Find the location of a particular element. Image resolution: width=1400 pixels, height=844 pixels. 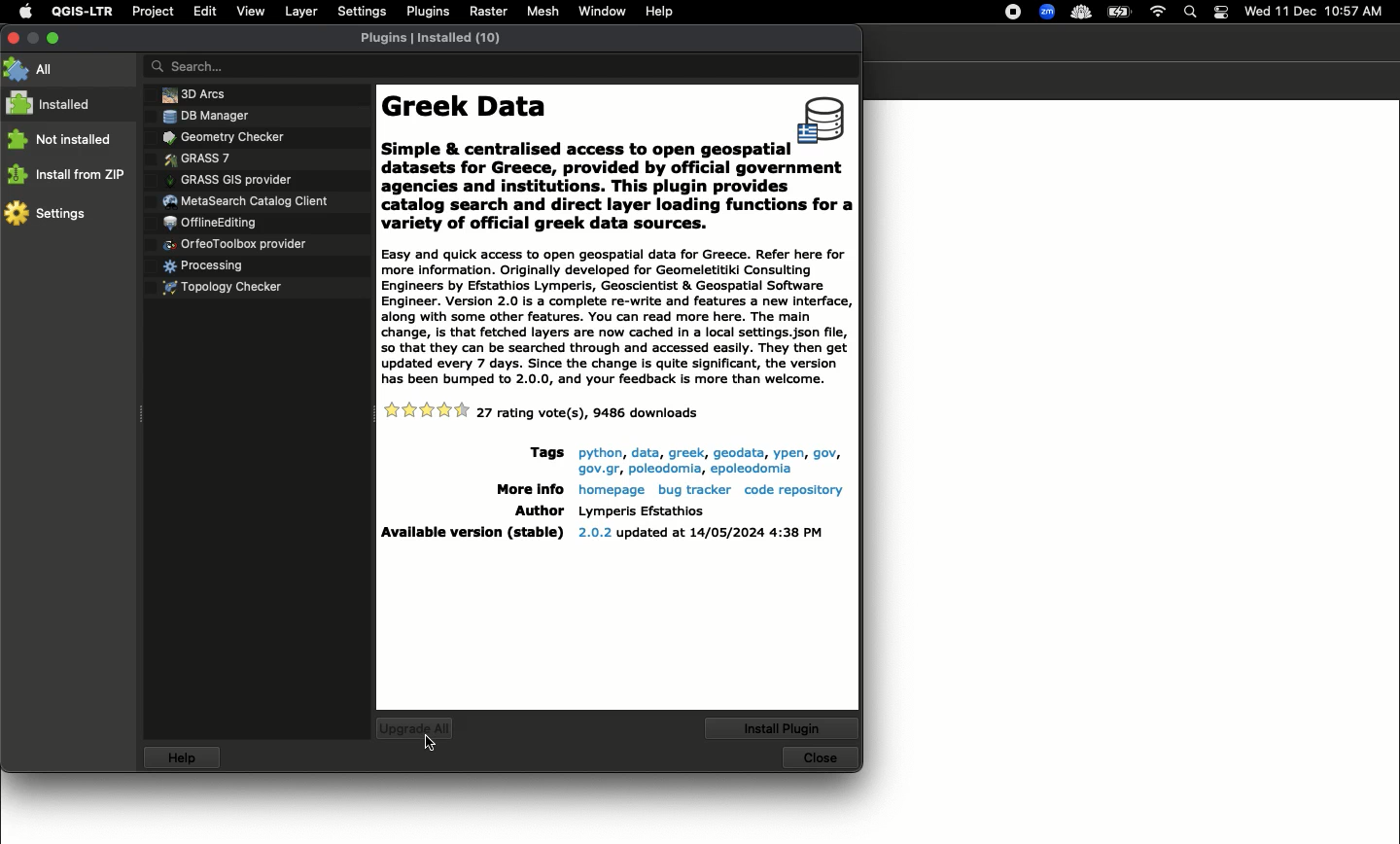

Raster is located at coordinates (489, 13).